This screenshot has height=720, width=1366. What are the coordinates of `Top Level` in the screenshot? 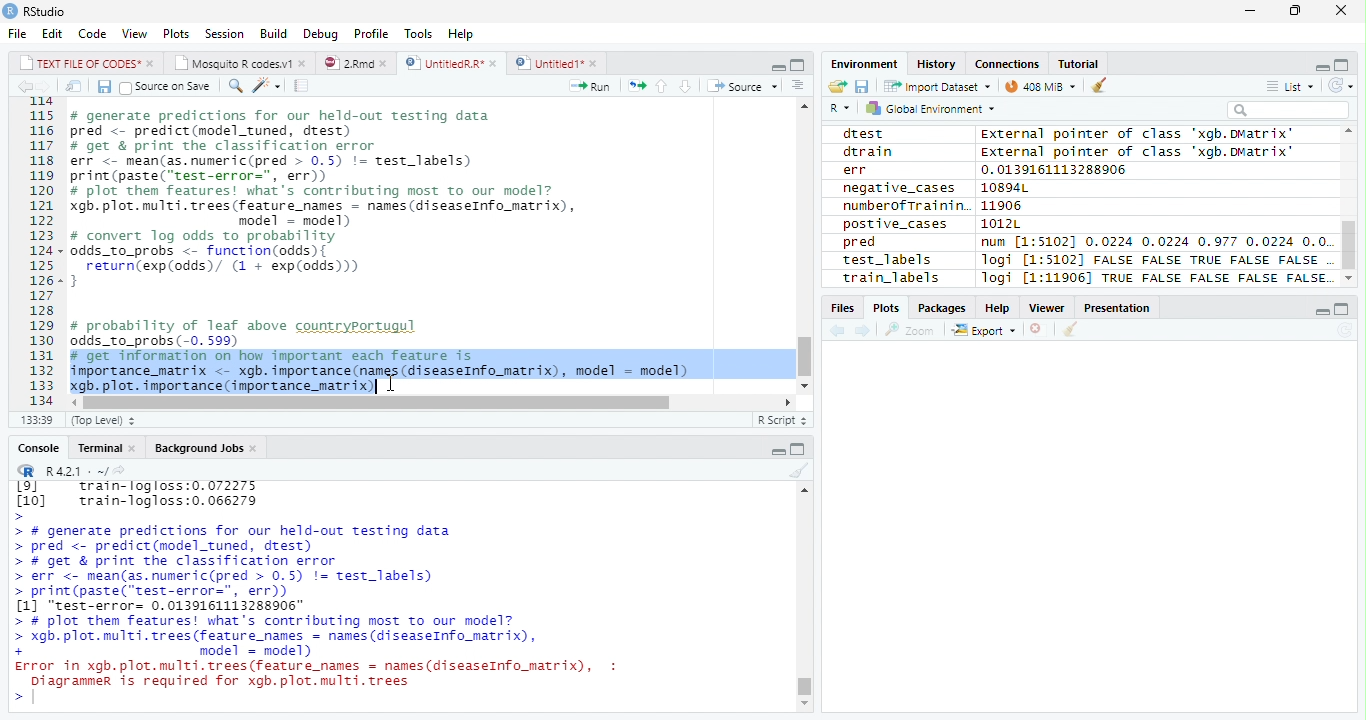 It's located at (105, 419).